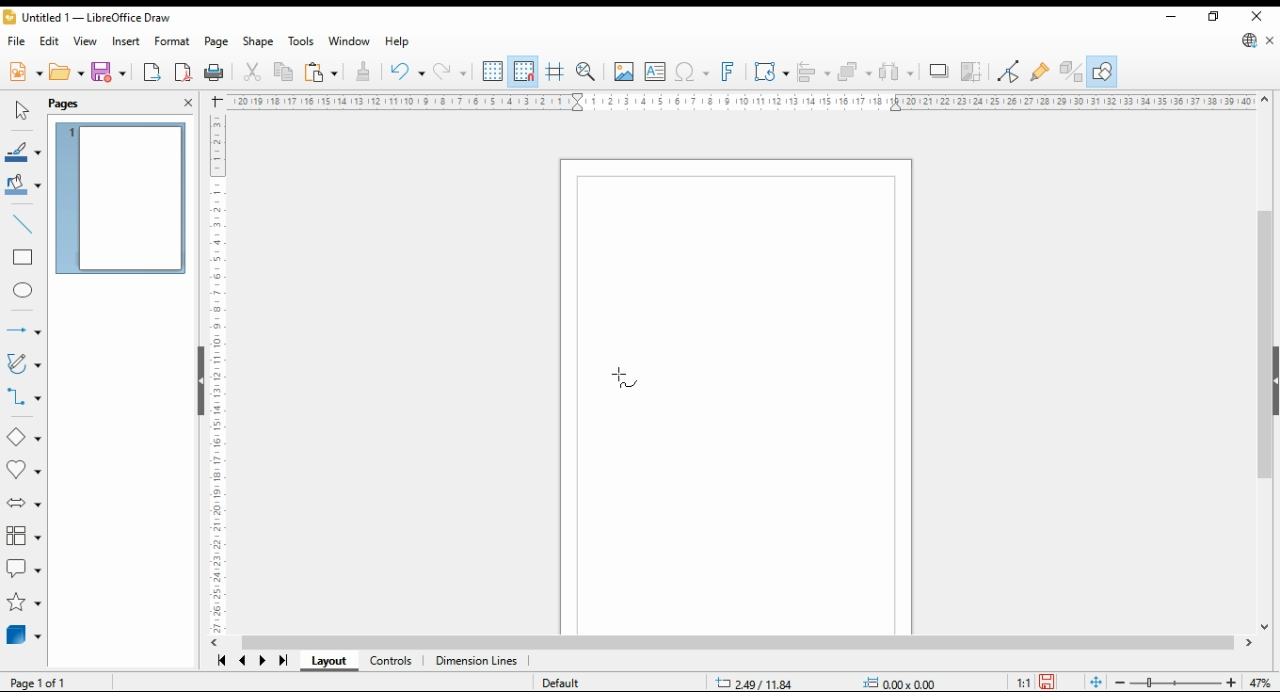  I want to click on ruler, so click(210, 375).